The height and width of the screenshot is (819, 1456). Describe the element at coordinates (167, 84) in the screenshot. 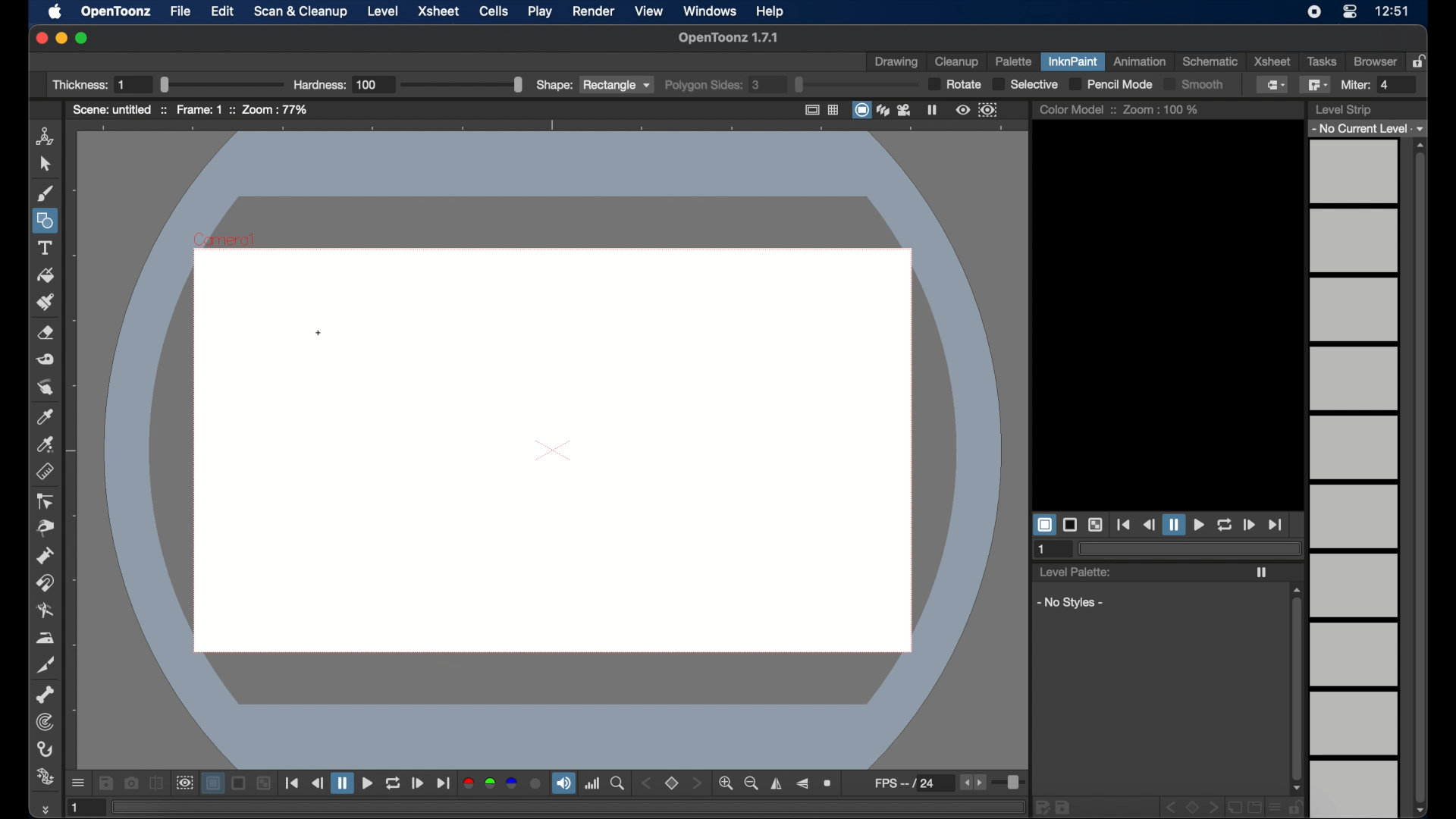

I see `Thickness` at that location.